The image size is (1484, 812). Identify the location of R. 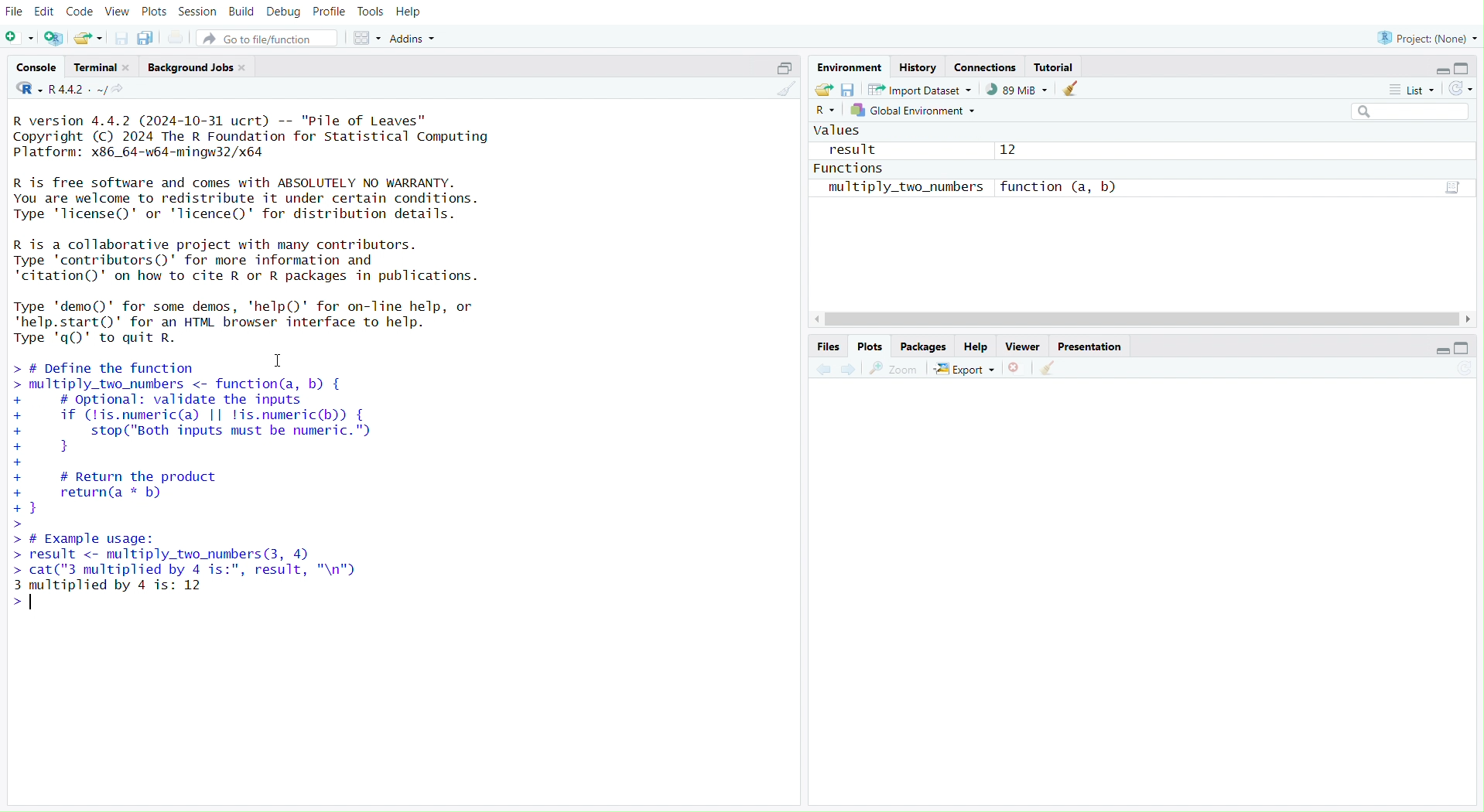
(826, 111).